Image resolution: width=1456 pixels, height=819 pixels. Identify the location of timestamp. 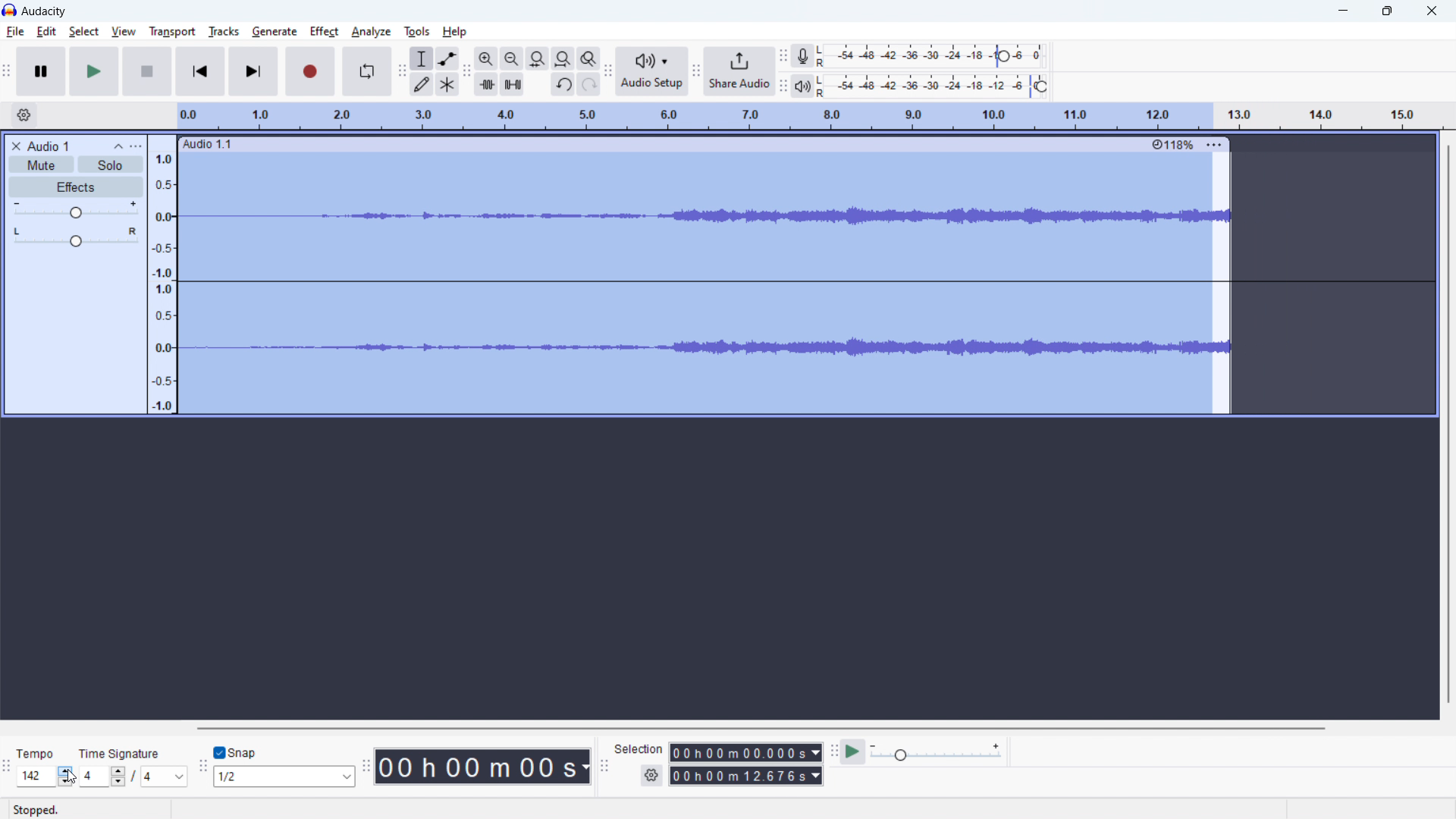
(485, 767).